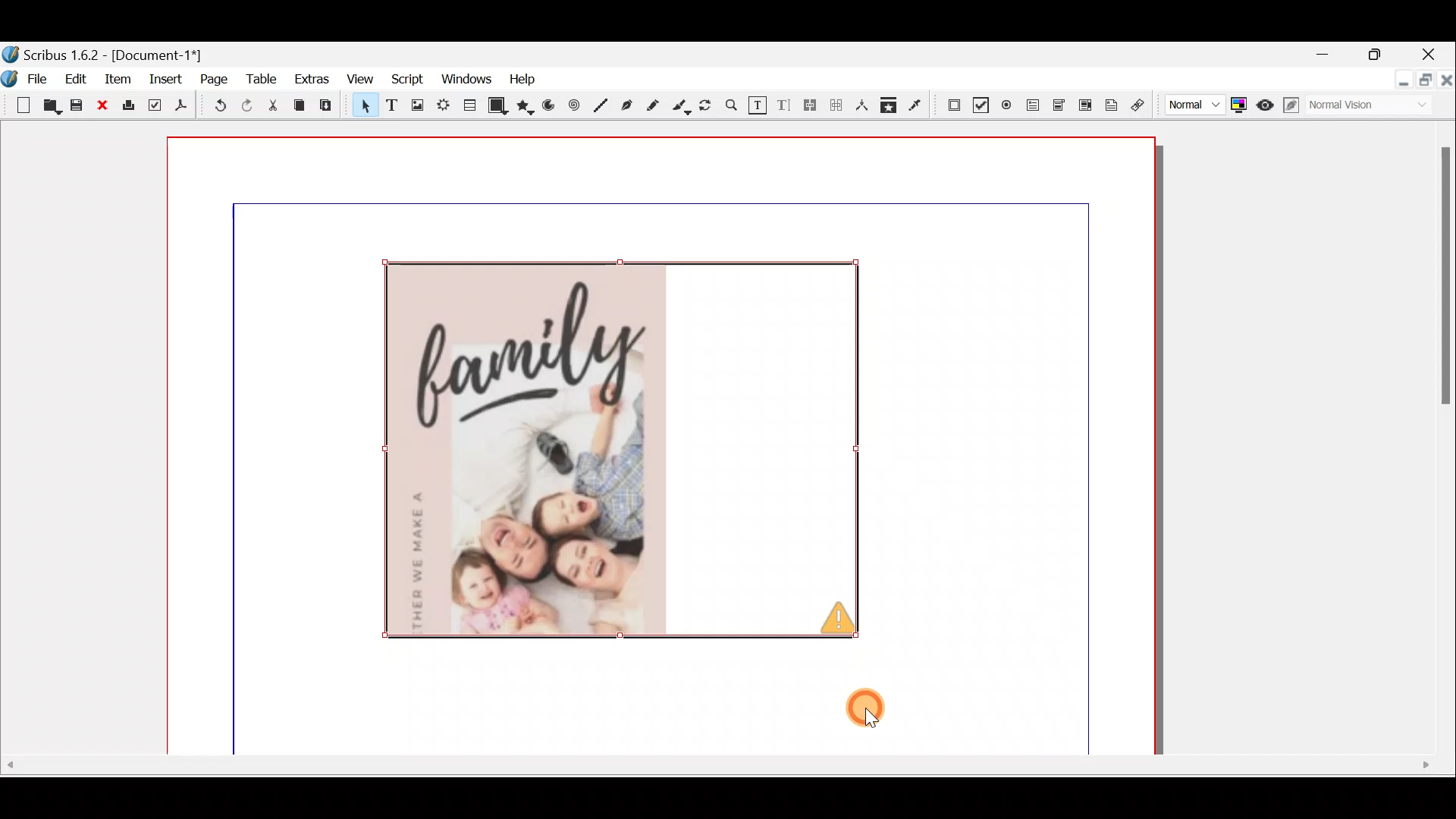 The height and width of the screenshot is (819, 1456). Describe the element at coordinates (1085, 103) in the screenshot. I see `PDF List box` at that location.